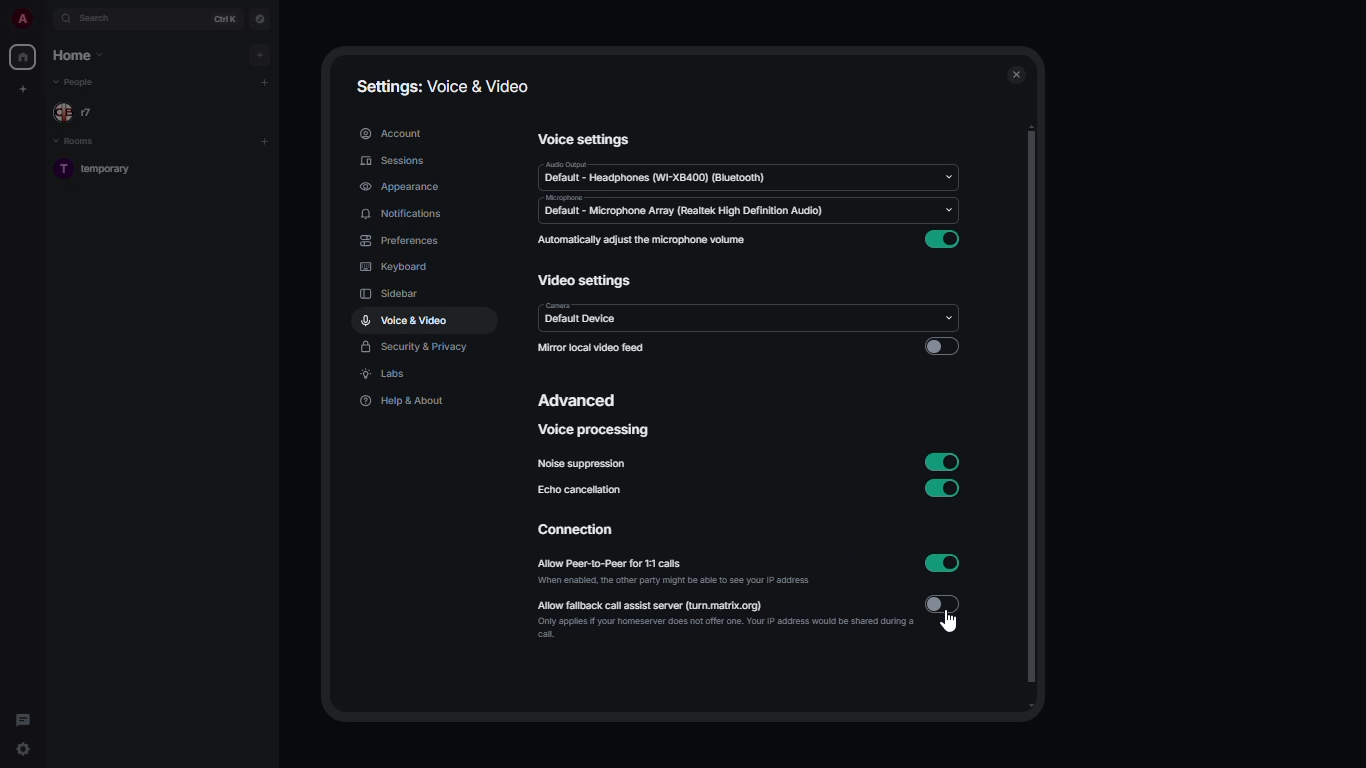  Describe the element at coordinates (947, 210) in the screenshot. I see `drop down` at that location.